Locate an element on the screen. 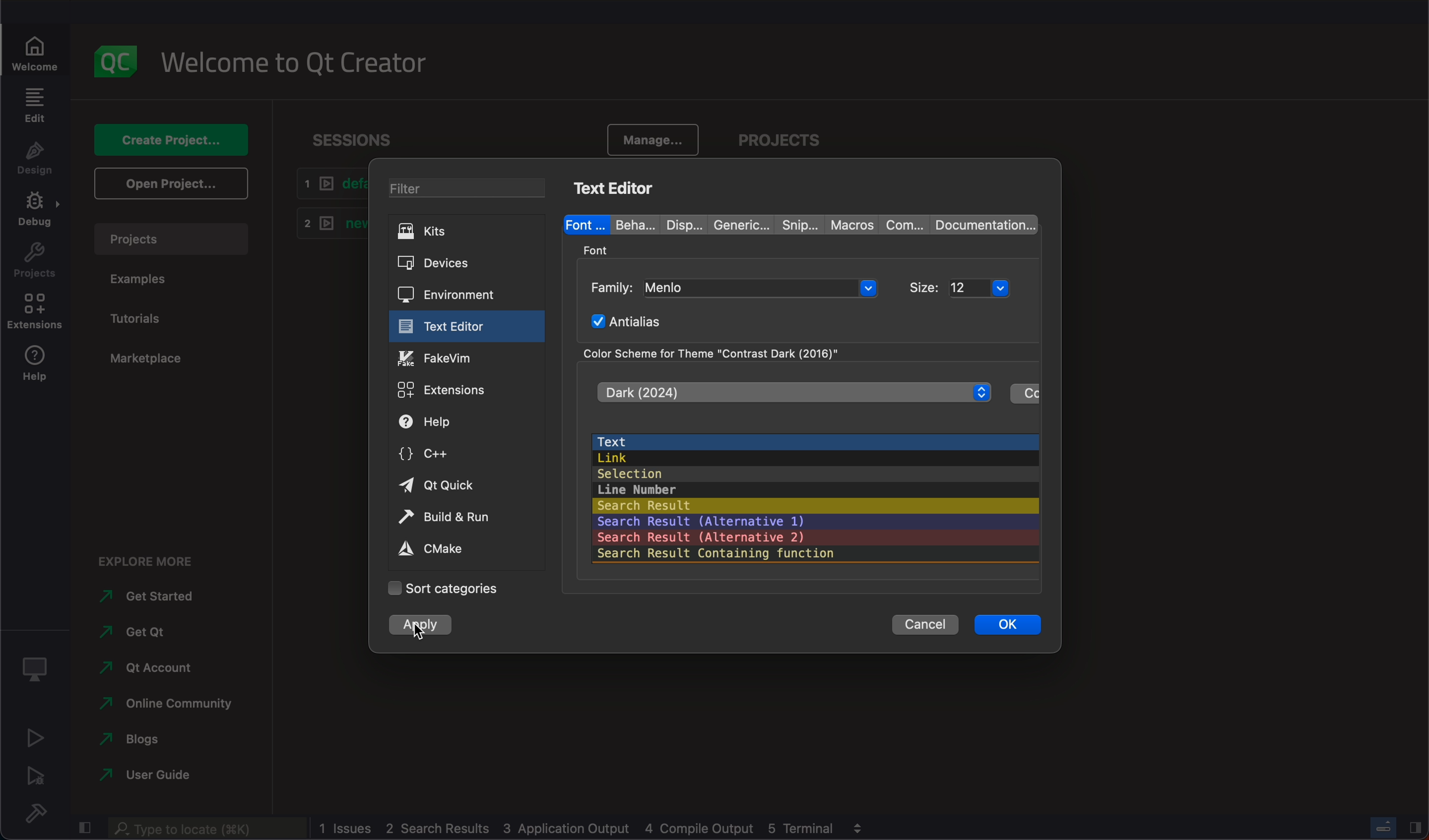 This screenshot has height=840, width=1429. devices is located at coordinates (467, 264).